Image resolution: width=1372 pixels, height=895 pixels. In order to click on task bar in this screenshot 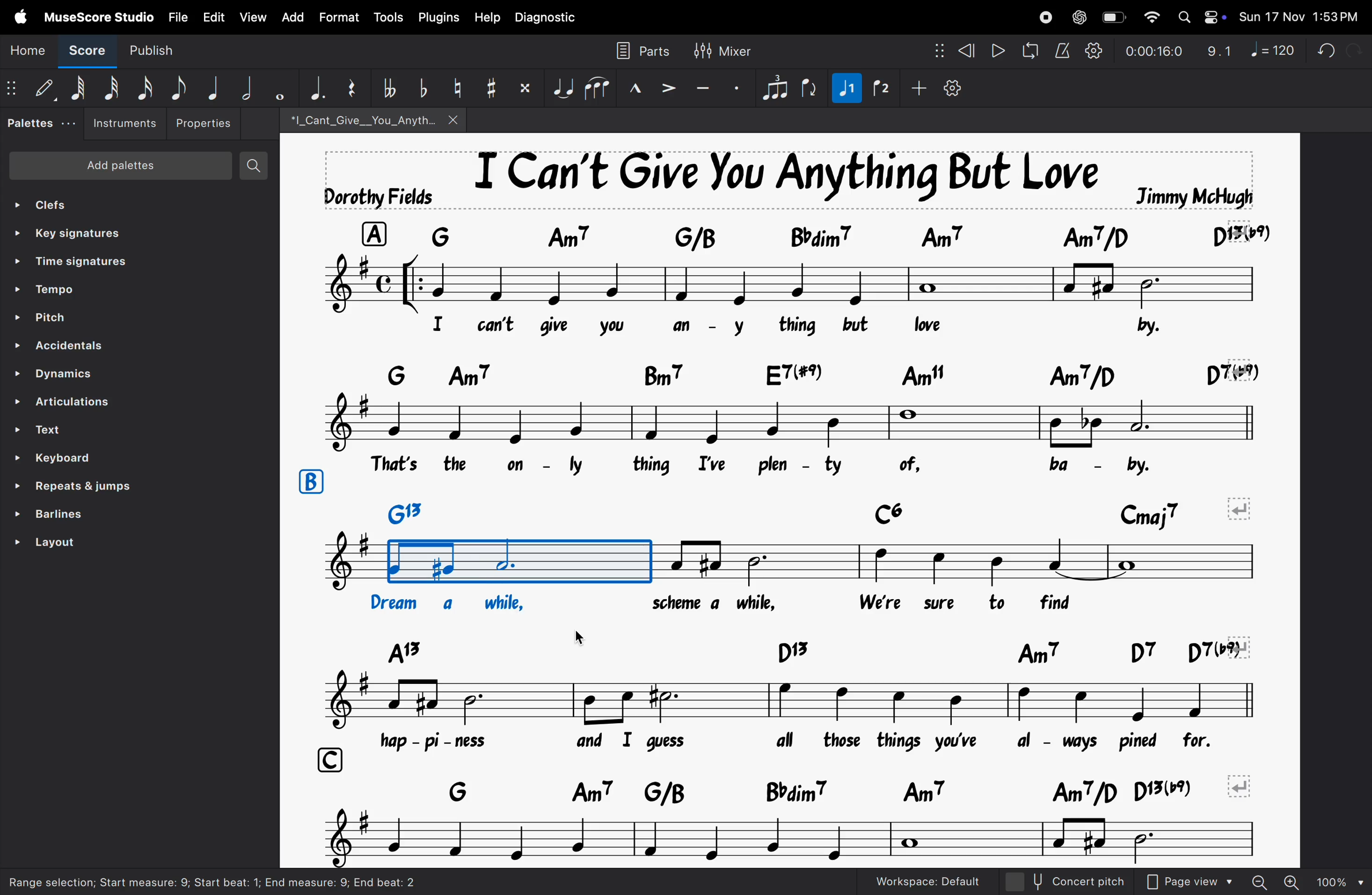, I will do `click(288, 879)`.